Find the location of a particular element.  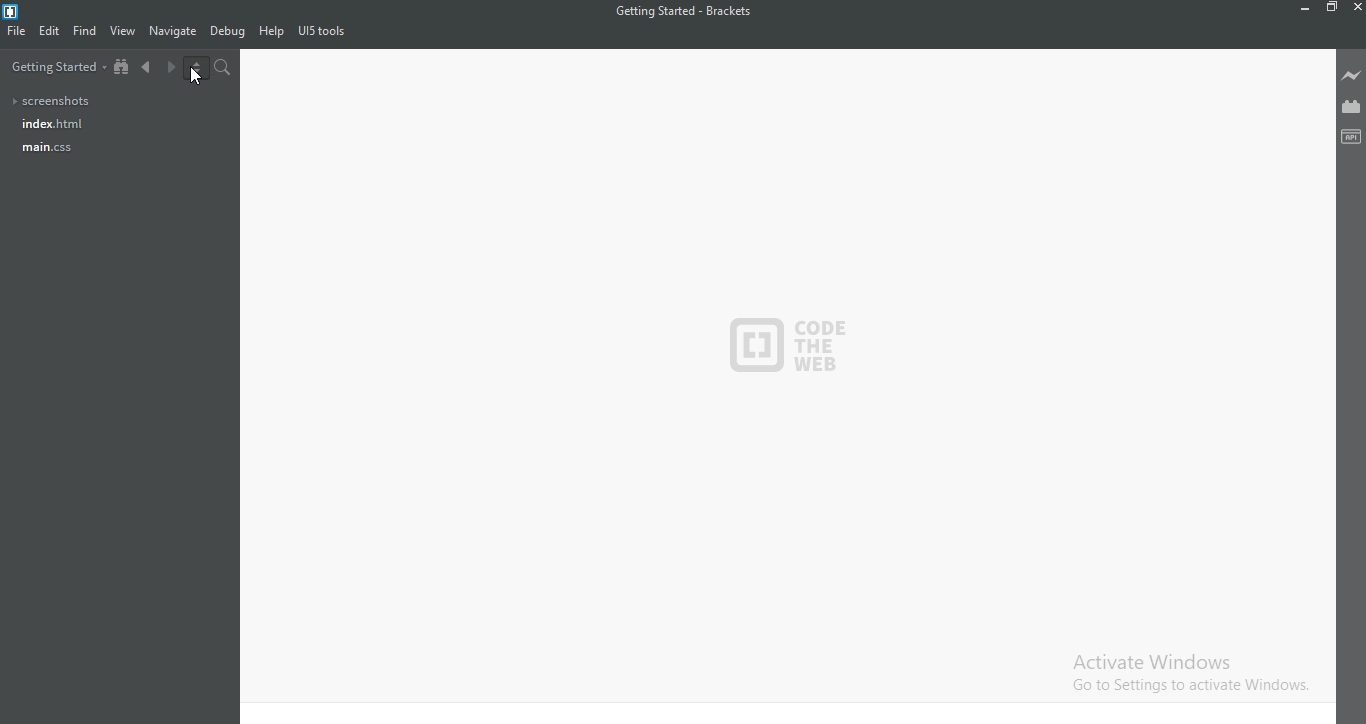

Index.html is located at coordinates (50, 124).